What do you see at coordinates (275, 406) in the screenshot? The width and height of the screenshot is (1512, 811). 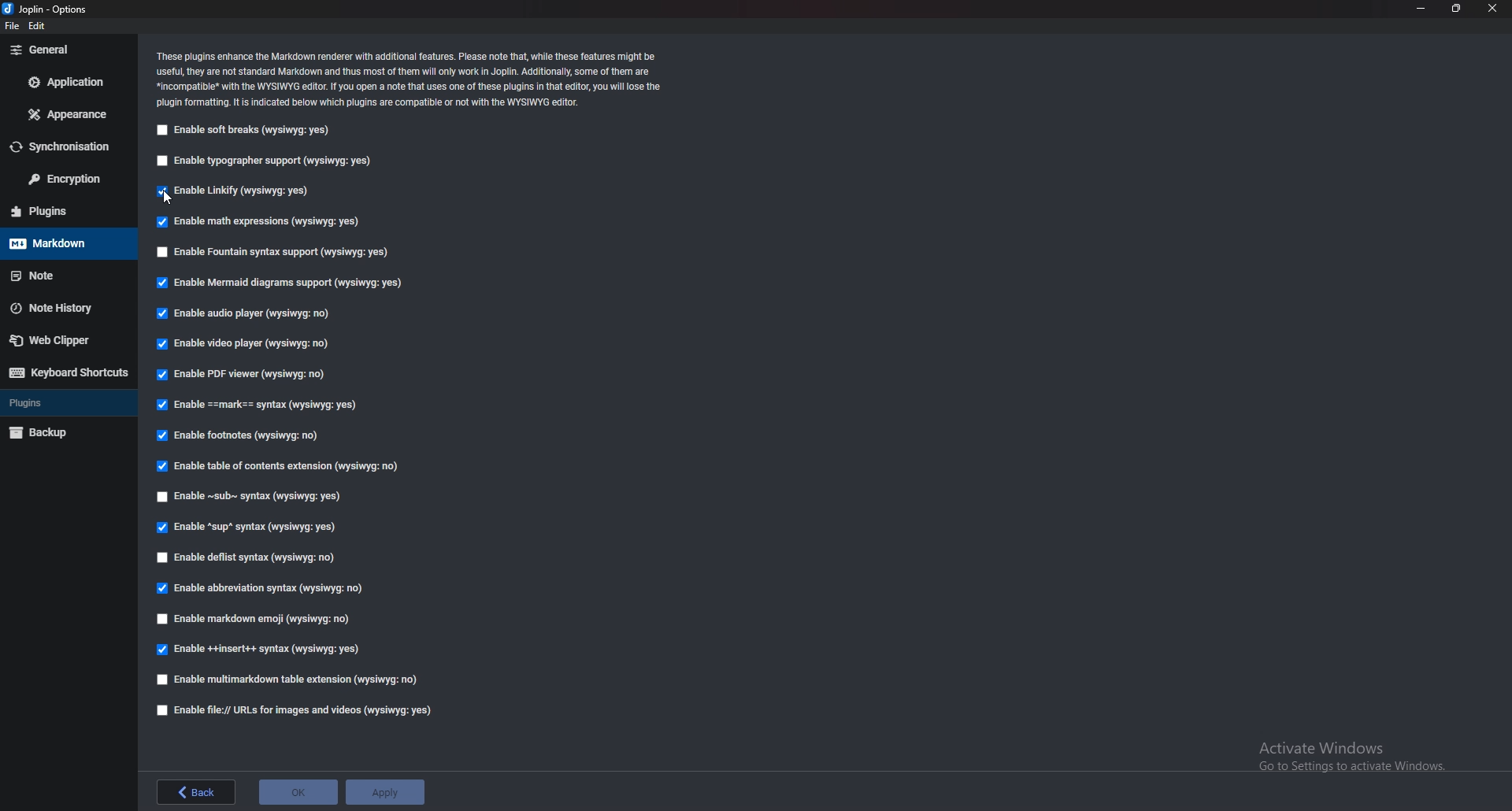 I see `Enable Mark Syntax` at bounding box center [275, 406].